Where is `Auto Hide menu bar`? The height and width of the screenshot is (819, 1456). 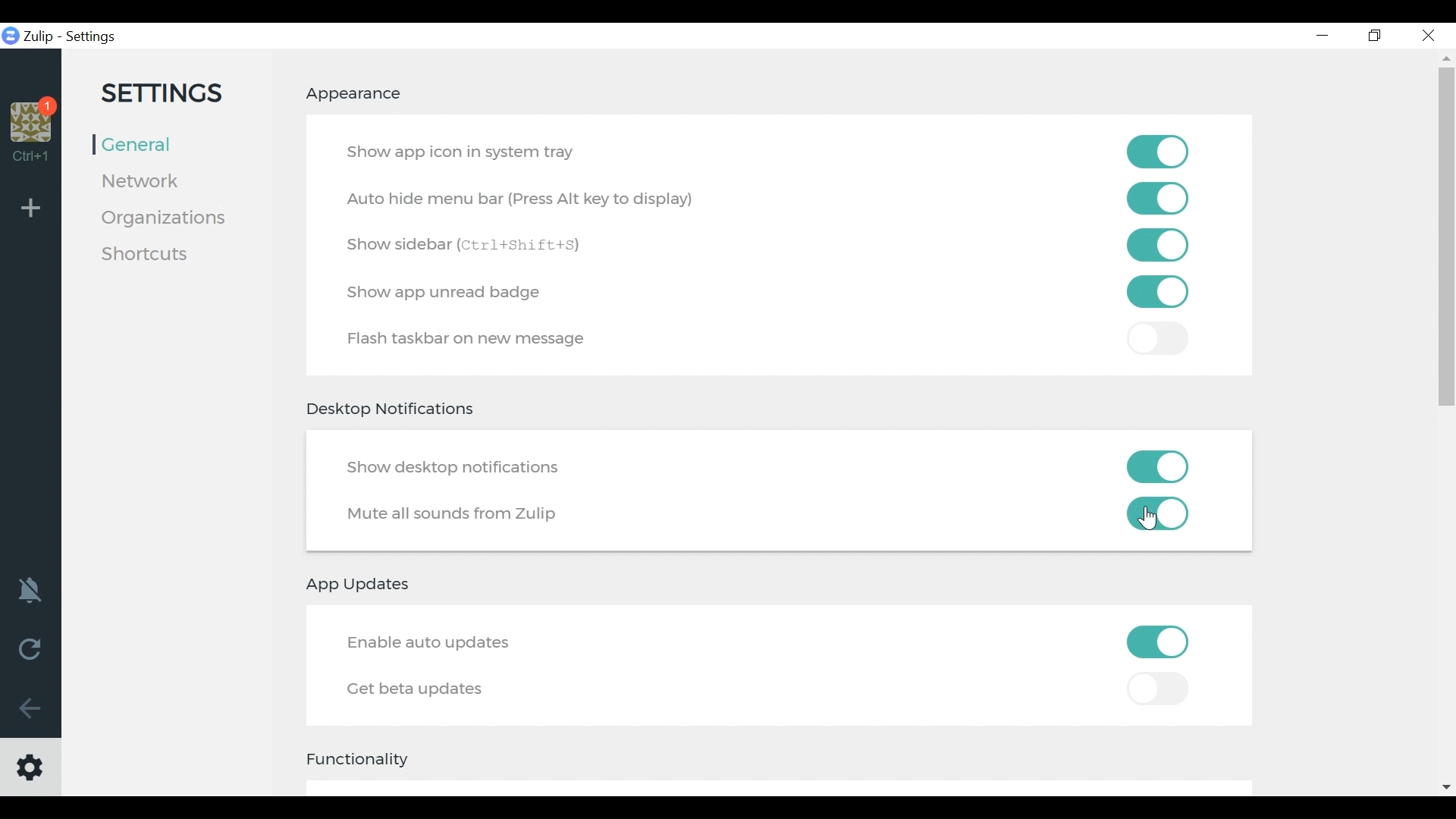
Auto Hide menu bar is located at coordinates (522, 200).